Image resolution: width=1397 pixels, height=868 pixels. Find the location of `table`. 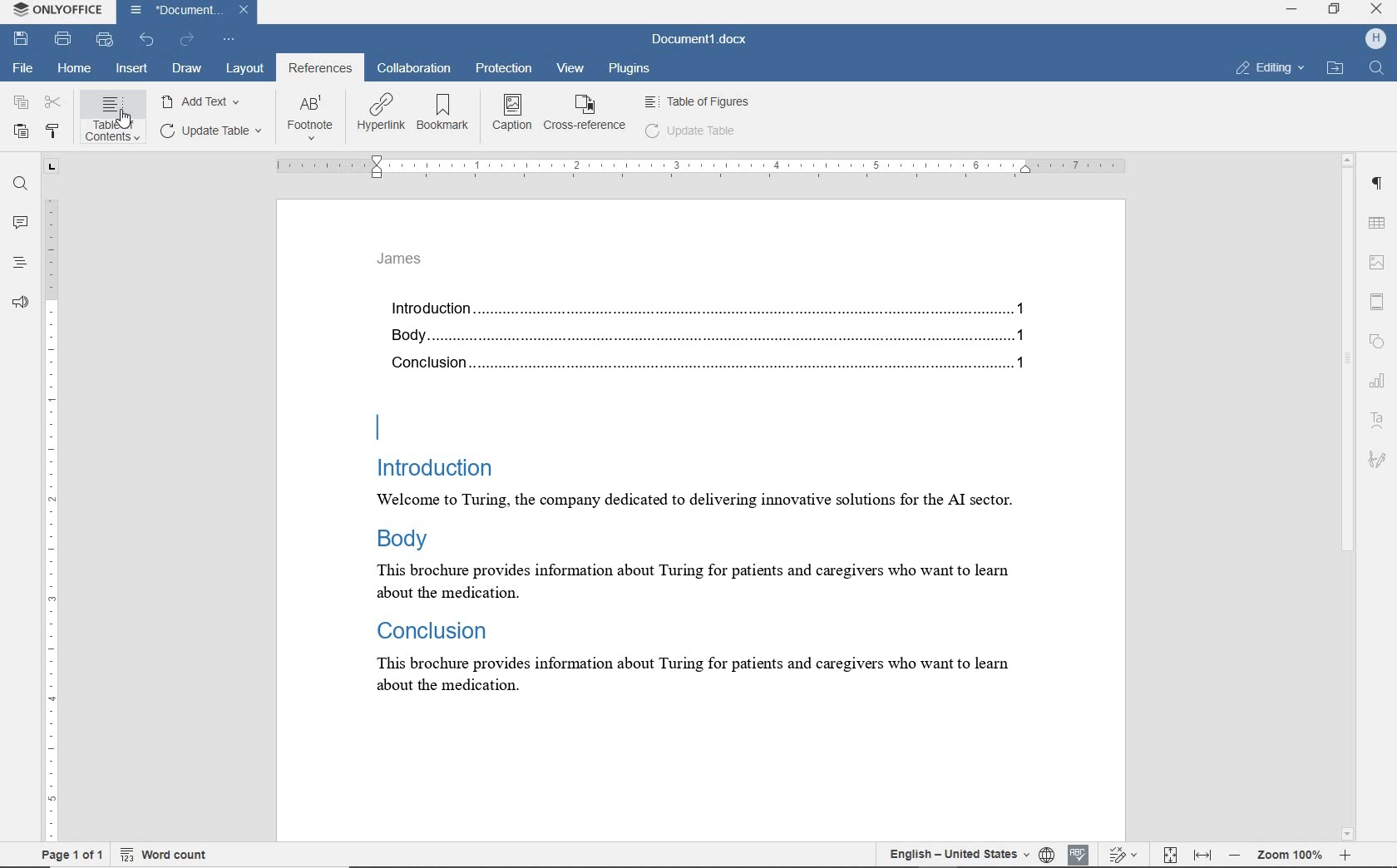

table is located at coordinates (1377, 224).